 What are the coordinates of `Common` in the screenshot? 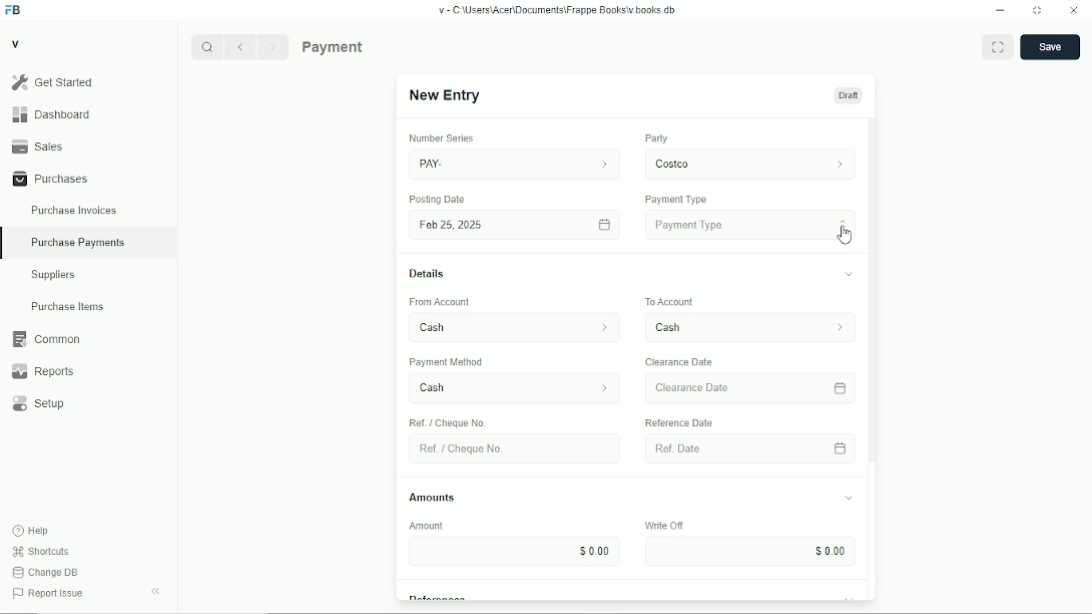 It's located at (89, 339).